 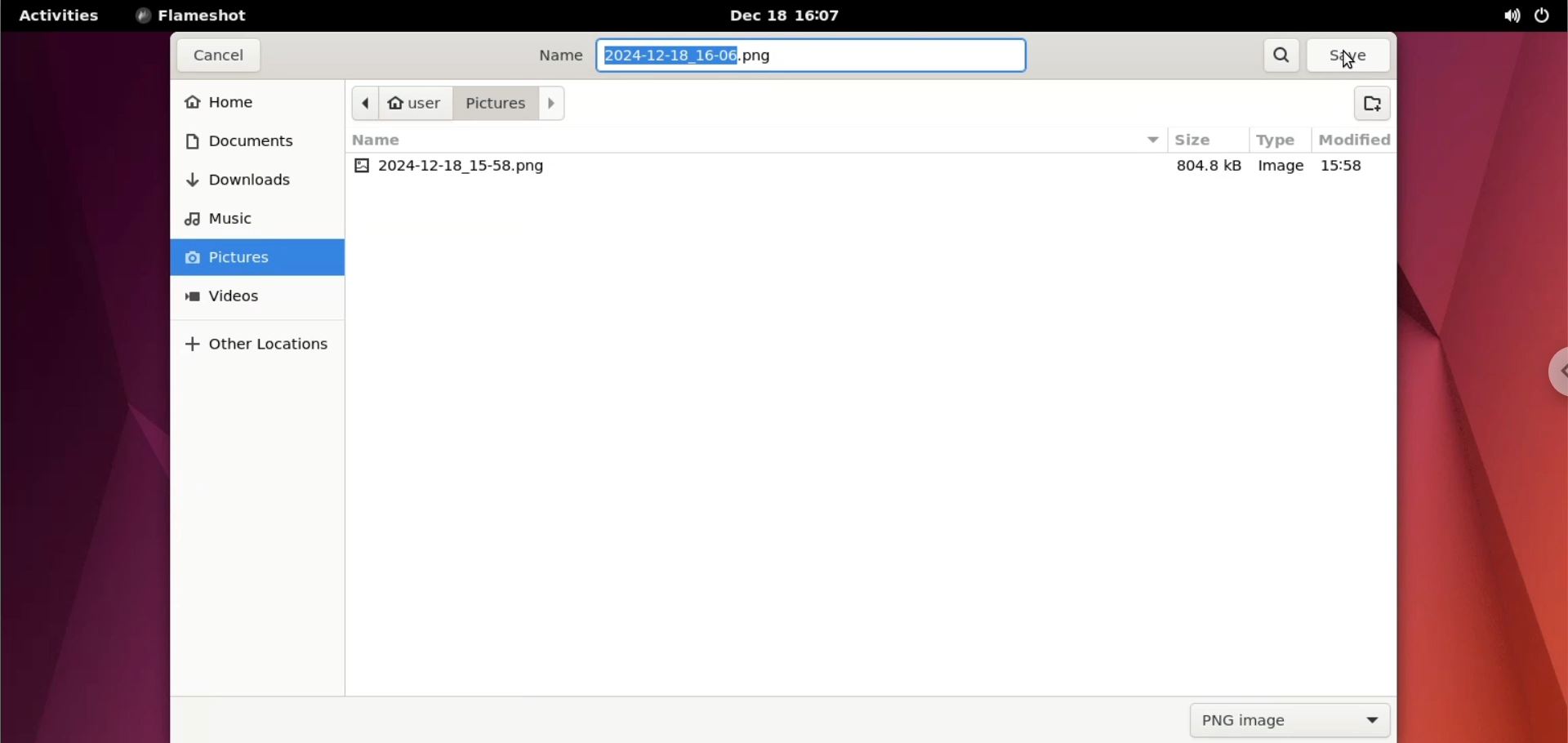 What do you see at coordinates (555, 105) in the screenshot?
I see `move next` at bounding box center [555, 105].